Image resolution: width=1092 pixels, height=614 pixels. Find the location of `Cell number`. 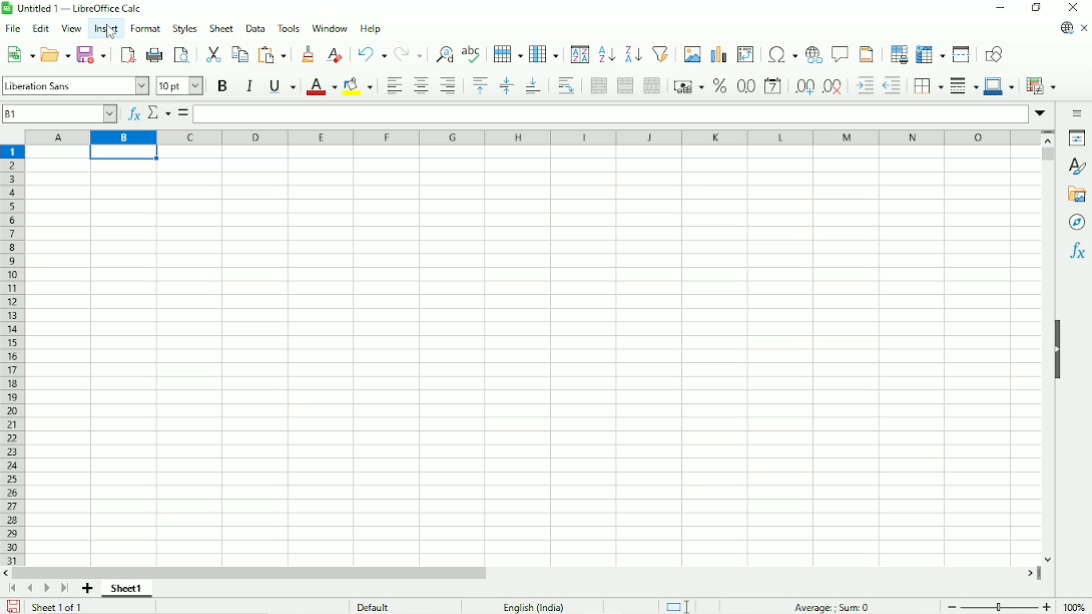

Cell number is located at coordinates (61, 114).